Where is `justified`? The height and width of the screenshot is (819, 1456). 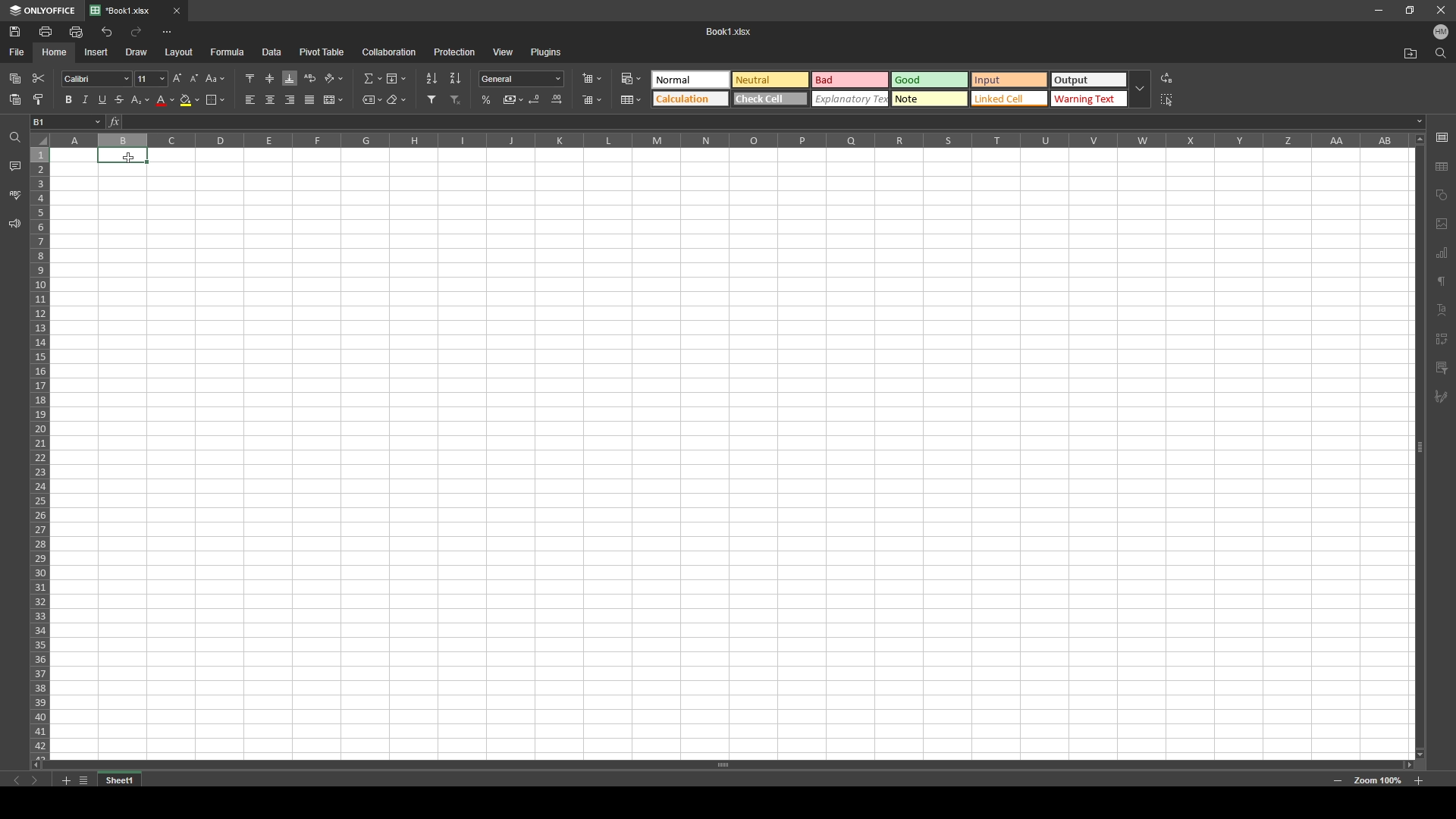 justified is located at coordinates (310, 101).